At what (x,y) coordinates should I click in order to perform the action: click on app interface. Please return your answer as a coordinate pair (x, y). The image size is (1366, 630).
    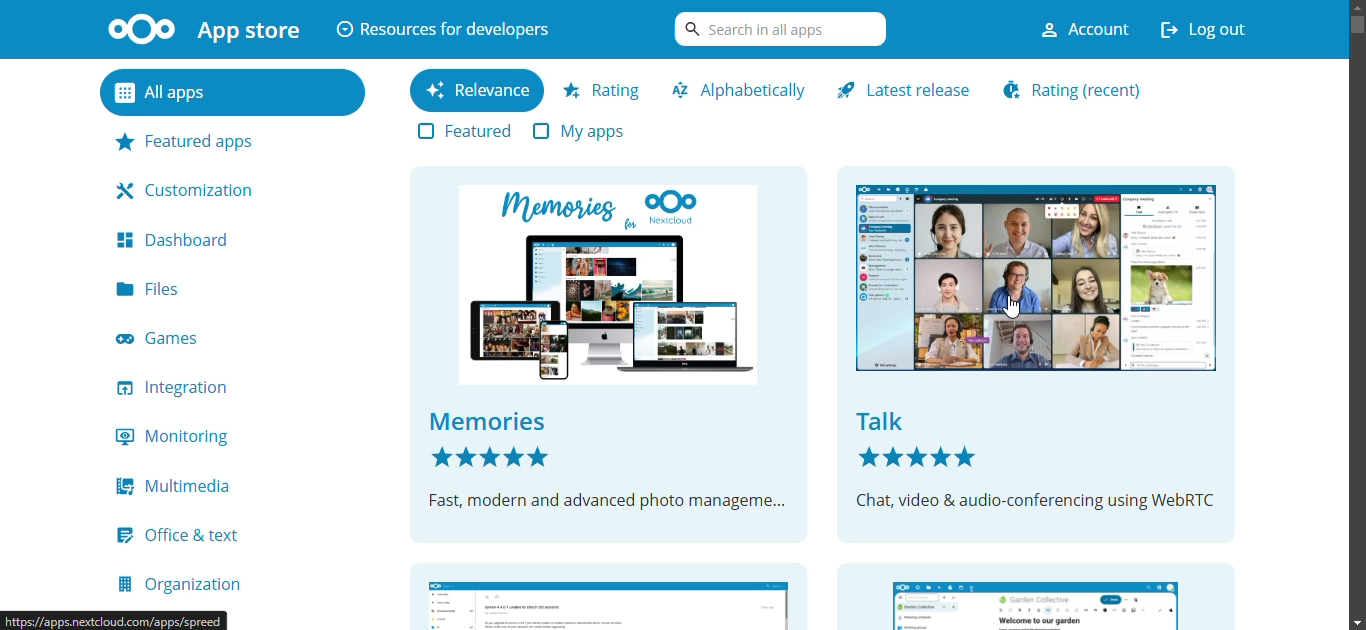
    Looking at the image, I should click on (1039, 598).